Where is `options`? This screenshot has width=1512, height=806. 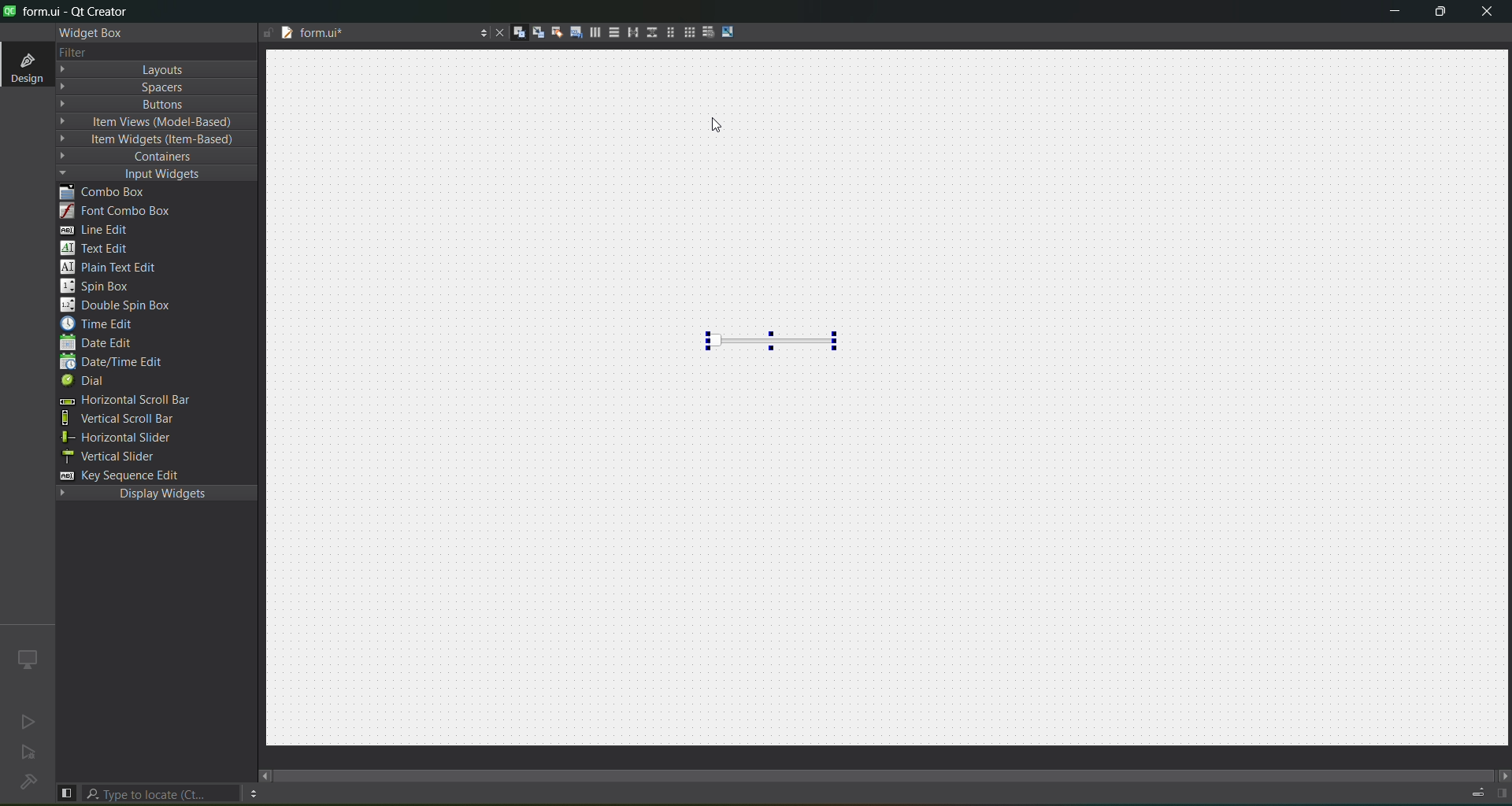 options is located at coordinates (478, 34).